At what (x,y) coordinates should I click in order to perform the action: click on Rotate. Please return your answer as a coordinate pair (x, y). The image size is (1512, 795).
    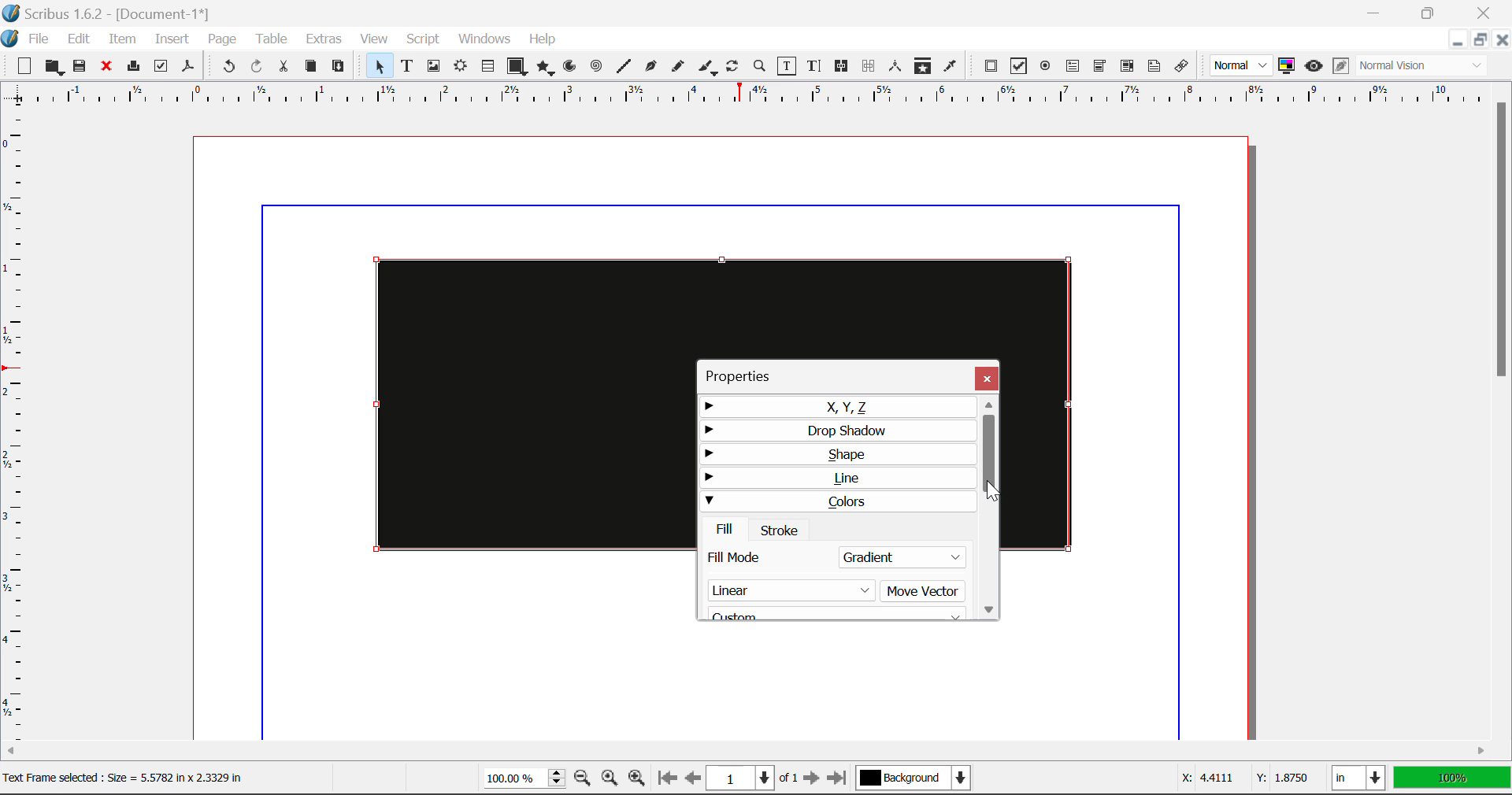
    Looking at the image, I should click on (733, 66).